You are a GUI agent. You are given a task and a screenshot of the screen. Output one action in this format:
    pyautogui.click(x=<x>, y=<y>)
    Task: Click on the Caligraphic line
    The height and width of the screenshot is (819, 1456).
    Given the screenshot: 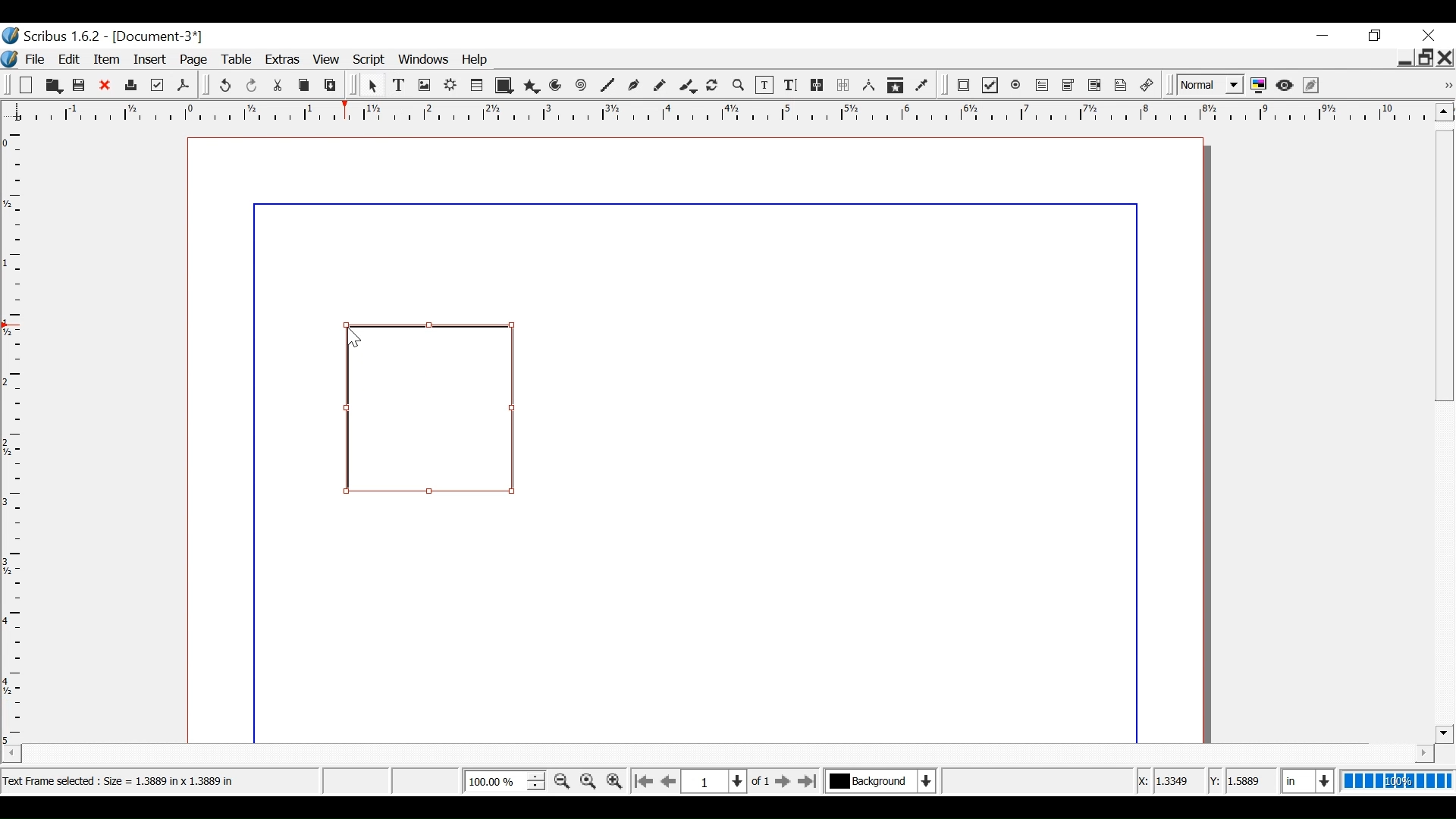 What is the action you would take?
    pyautogui.click(x=689, y=87)
    